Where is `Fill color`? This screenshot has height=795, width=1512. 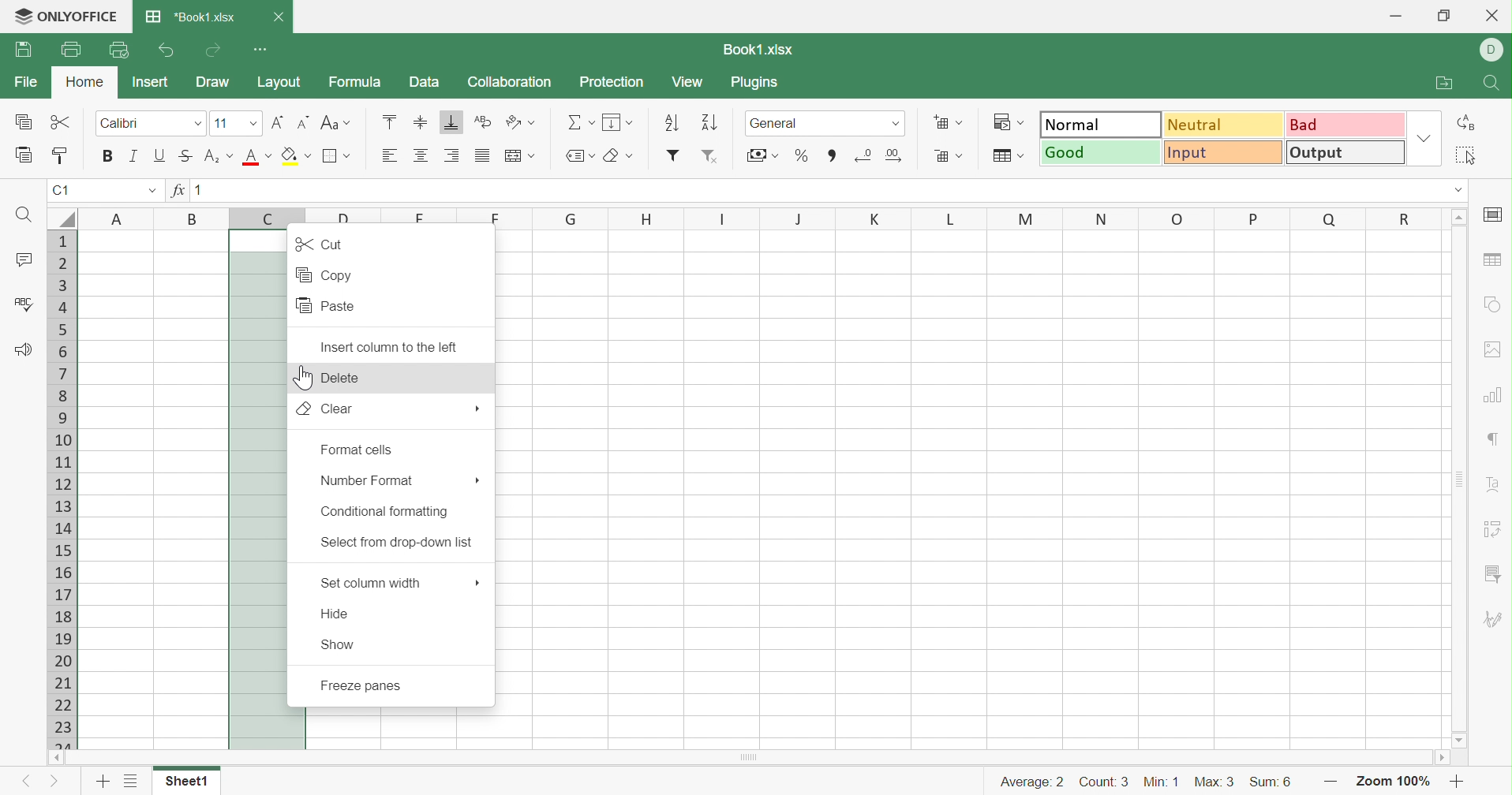
Fill color is located at coordinates (290, 157).